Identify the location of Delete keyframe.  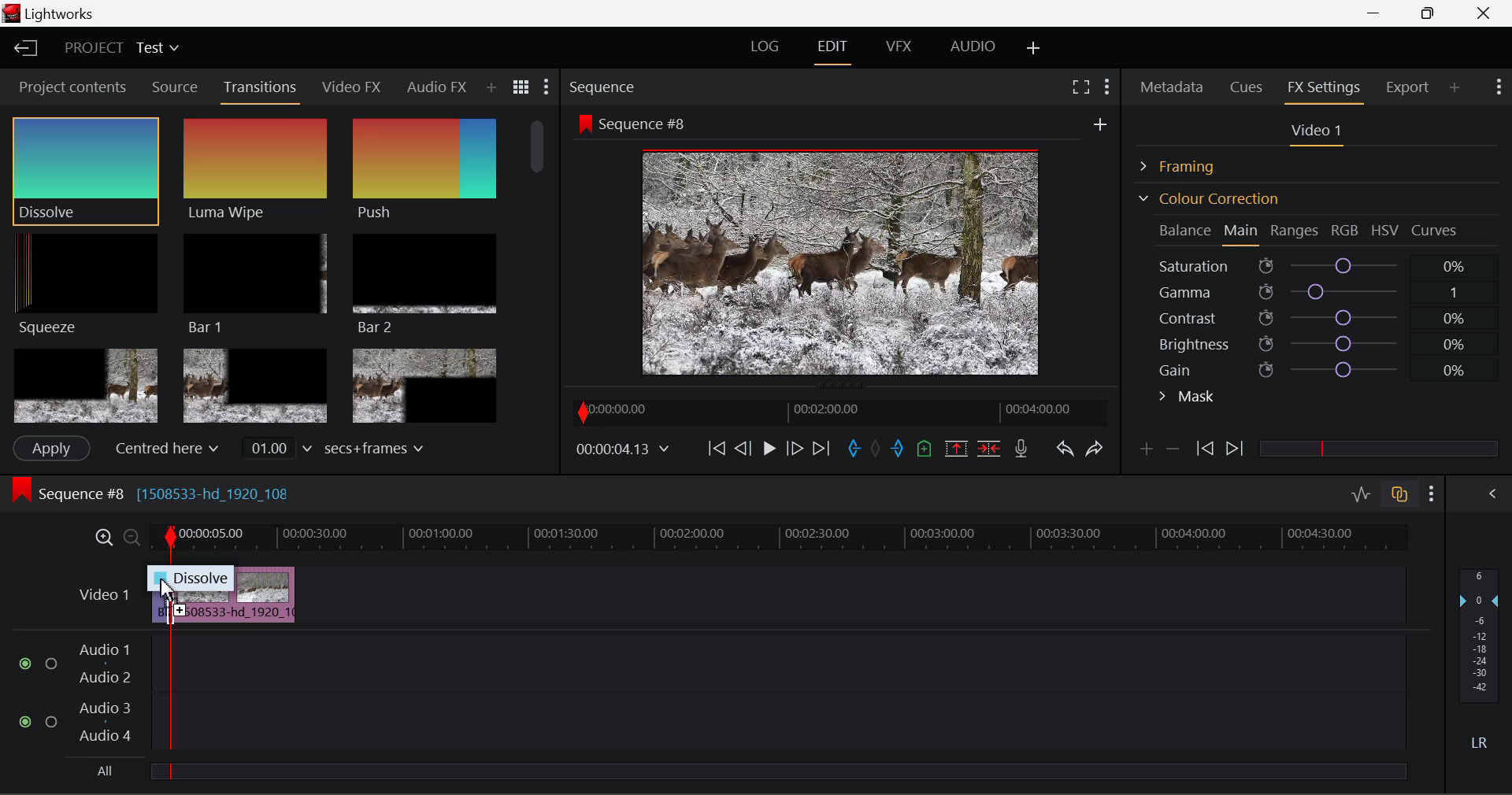
(1173, 452).